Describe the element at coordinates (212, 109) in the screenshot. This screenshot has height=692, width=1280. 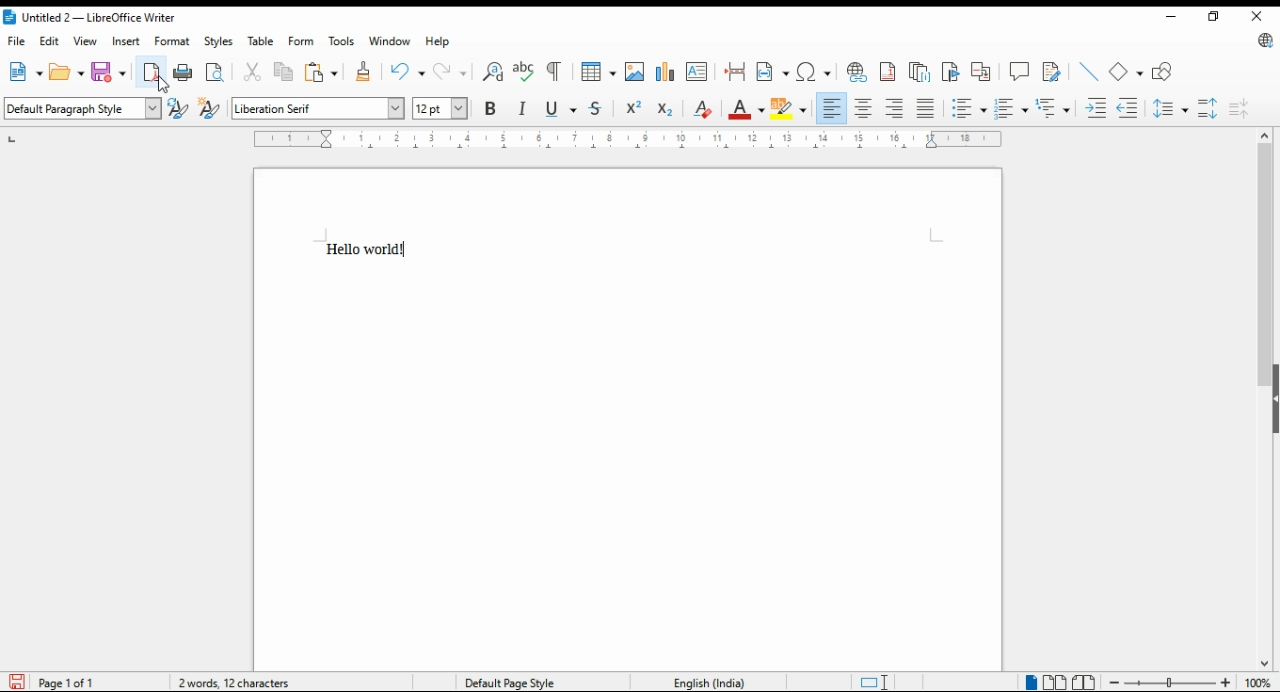
I see `create new style from selection` at that location.